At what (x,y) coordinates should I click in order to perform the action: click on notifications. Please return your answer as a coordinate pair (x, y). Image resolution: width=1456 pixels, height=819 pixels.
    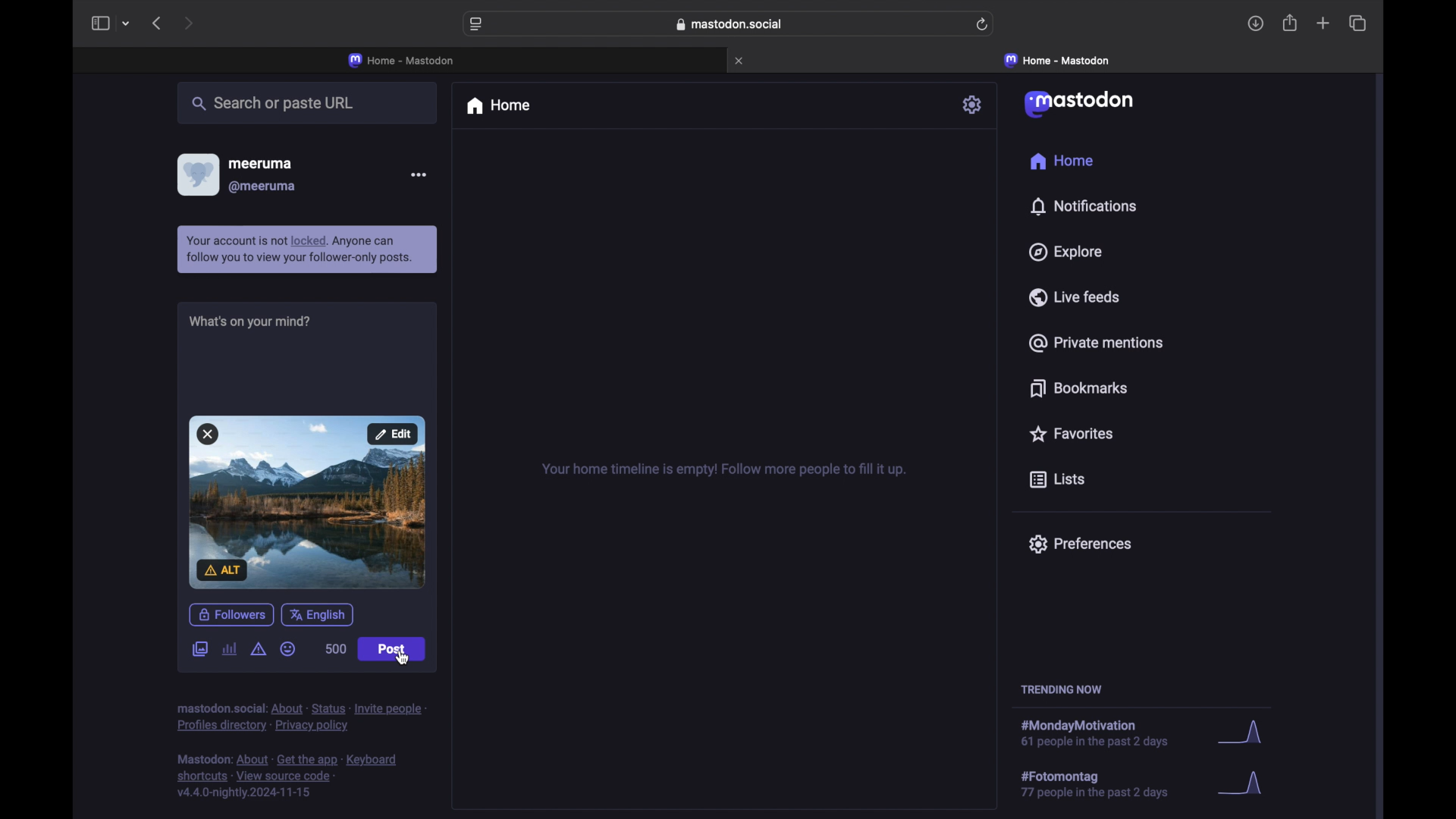
    Looking at the image, I should click on (1083, 206).